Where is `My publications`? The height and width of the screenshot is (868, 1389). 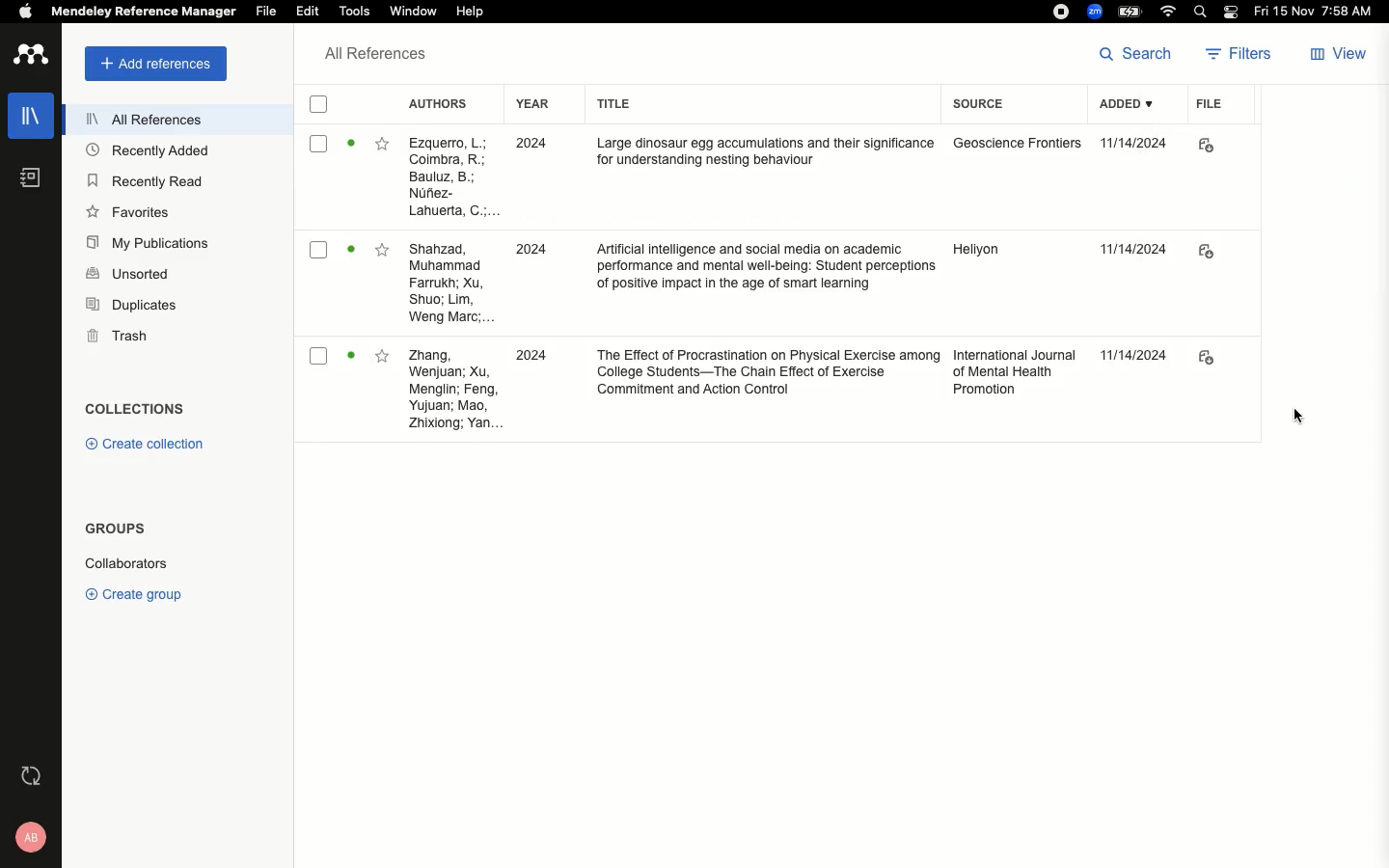
My publications is located at coordinates (145, 241).